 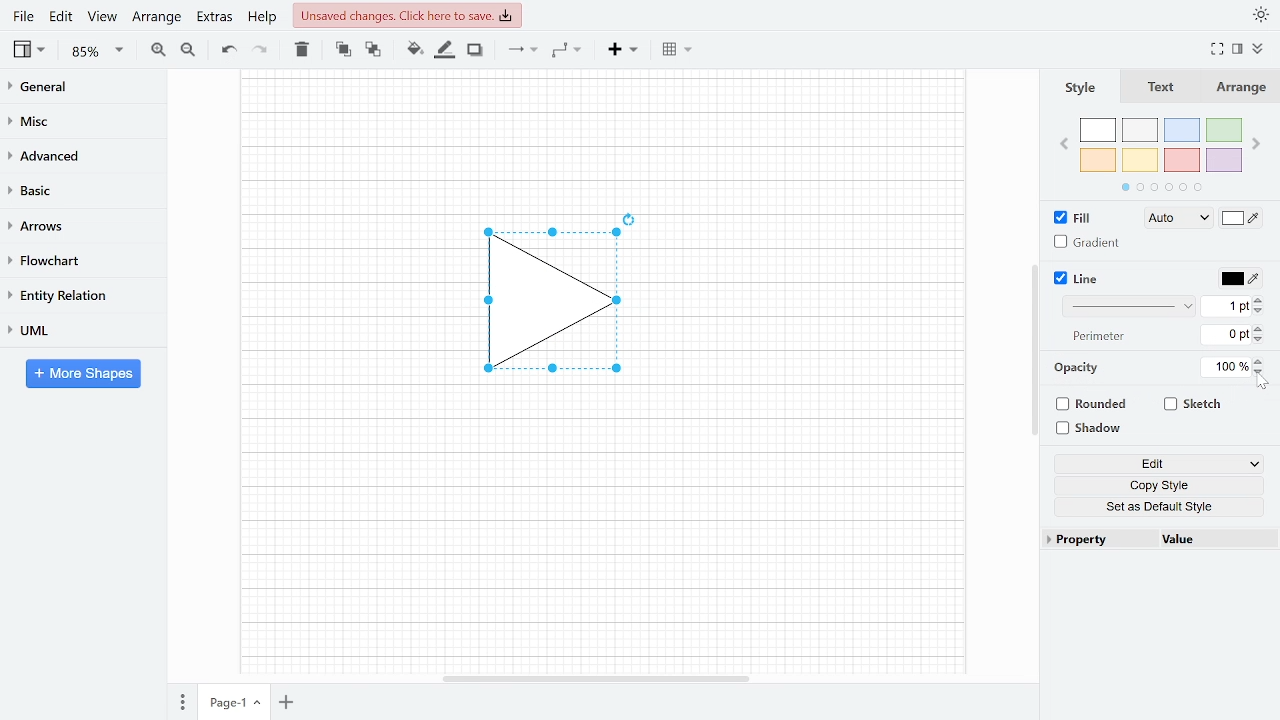 I want to click on Perimeter, so click(x=1095, y=337).